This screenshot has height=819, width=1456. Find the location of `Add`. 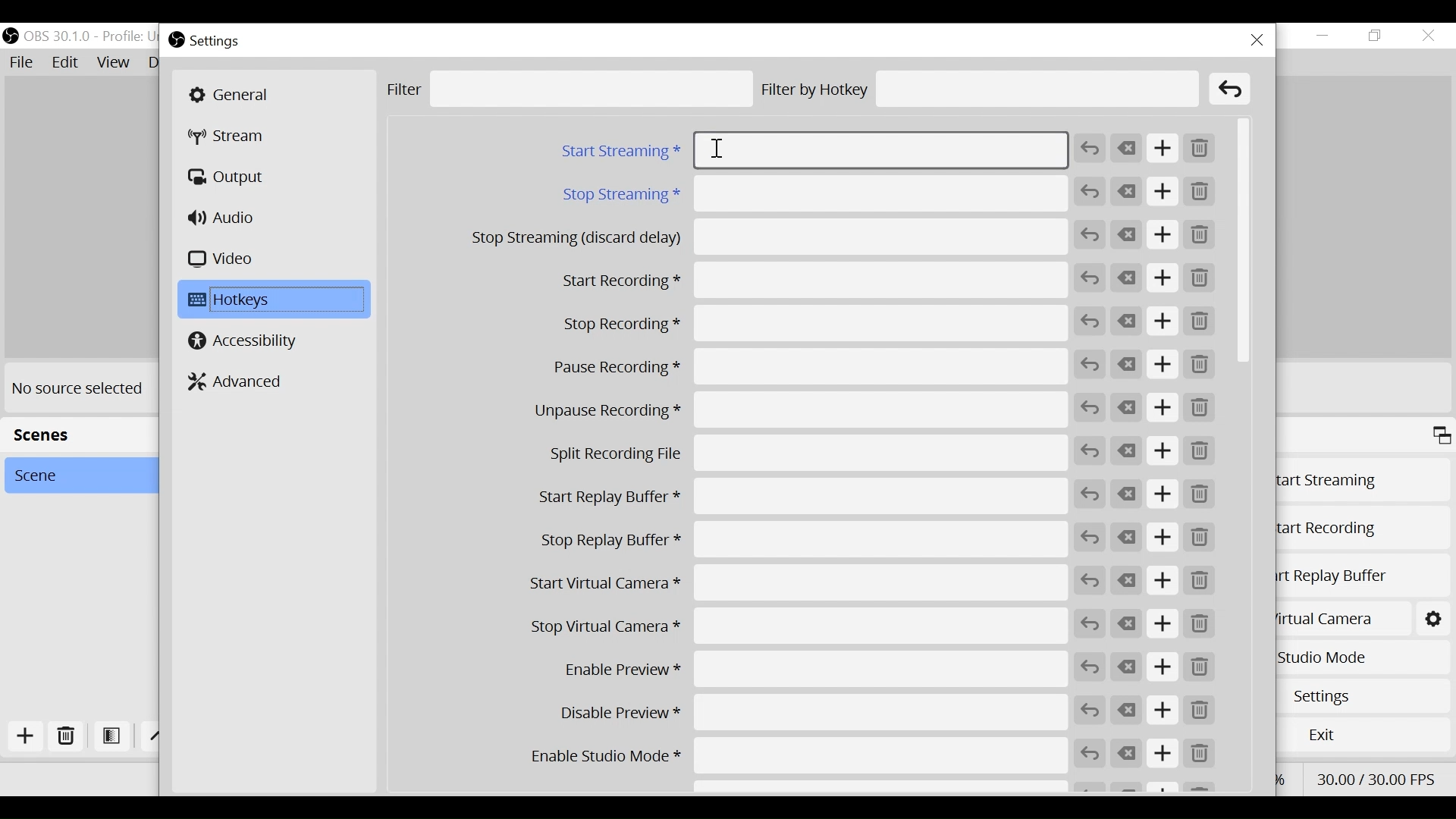

Add is located at coordinates (1166, 278).